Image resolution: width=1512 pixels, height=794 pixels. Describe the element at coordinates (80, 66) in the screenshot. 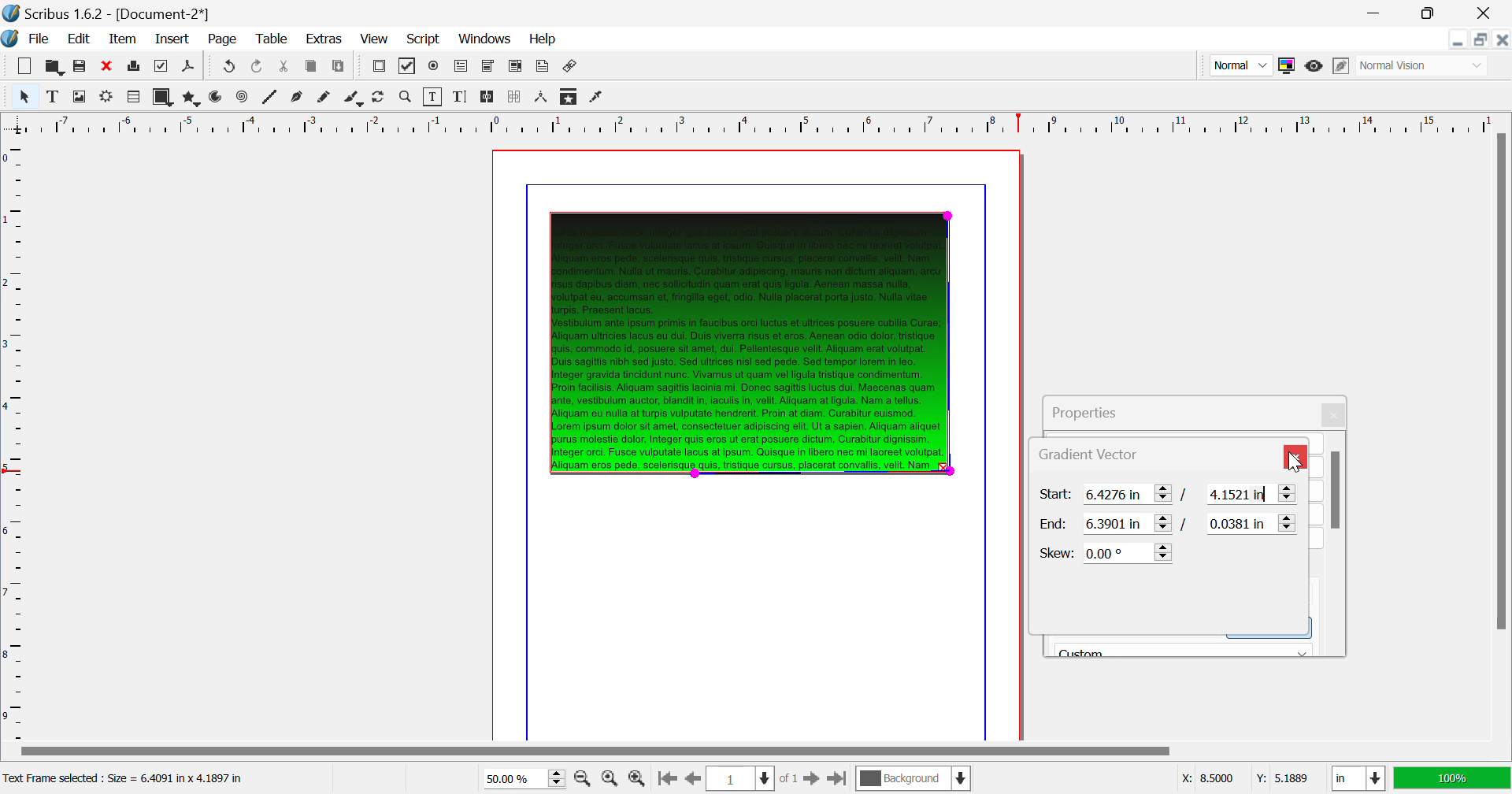

I see `Save` at that location.